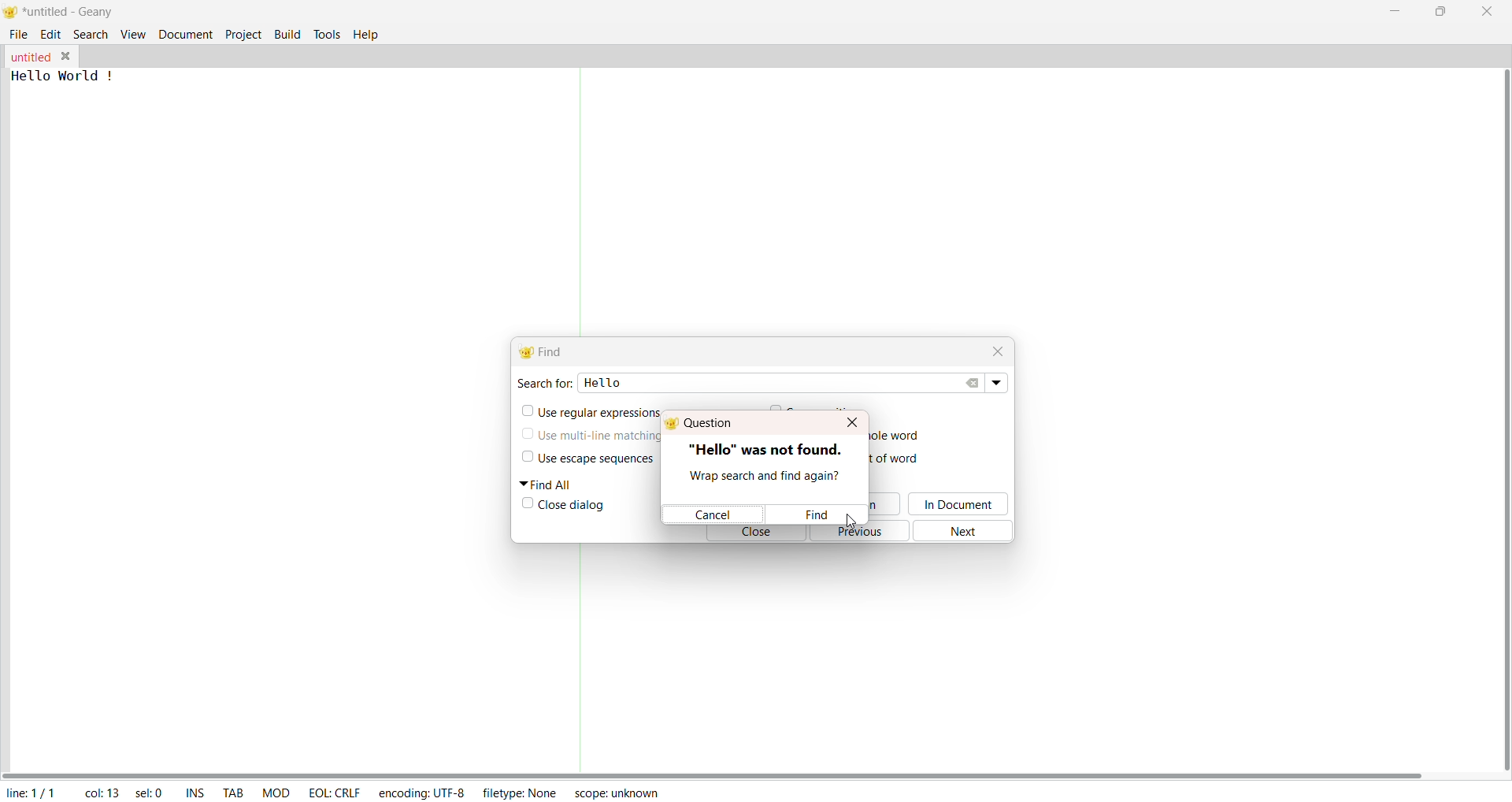  What do you see at coordinates (243, 35) in the screenshot?
I see `Project` at bounding box center [243, 35].